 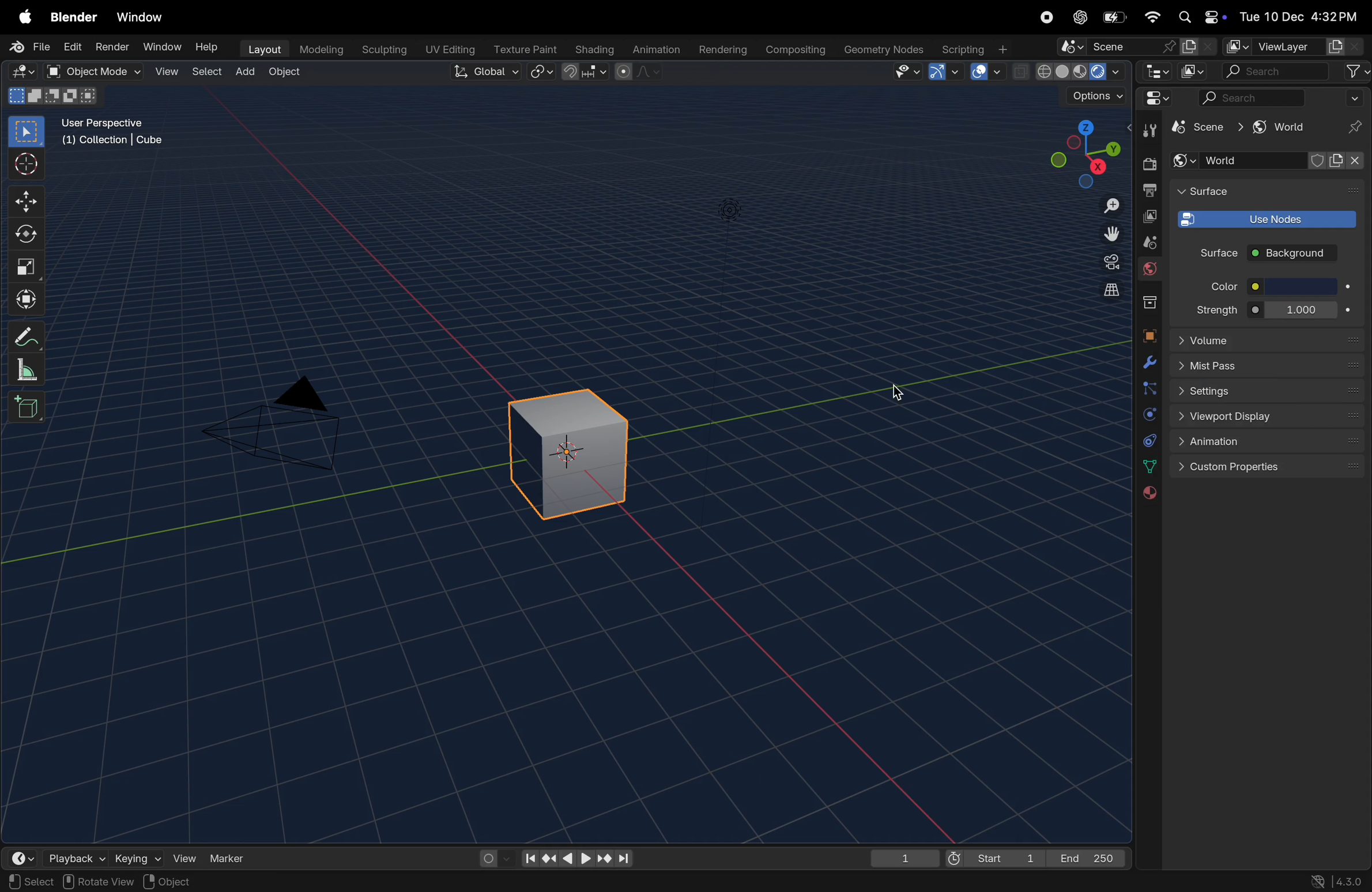 I want to click on version, so click(x=1342, y=881).